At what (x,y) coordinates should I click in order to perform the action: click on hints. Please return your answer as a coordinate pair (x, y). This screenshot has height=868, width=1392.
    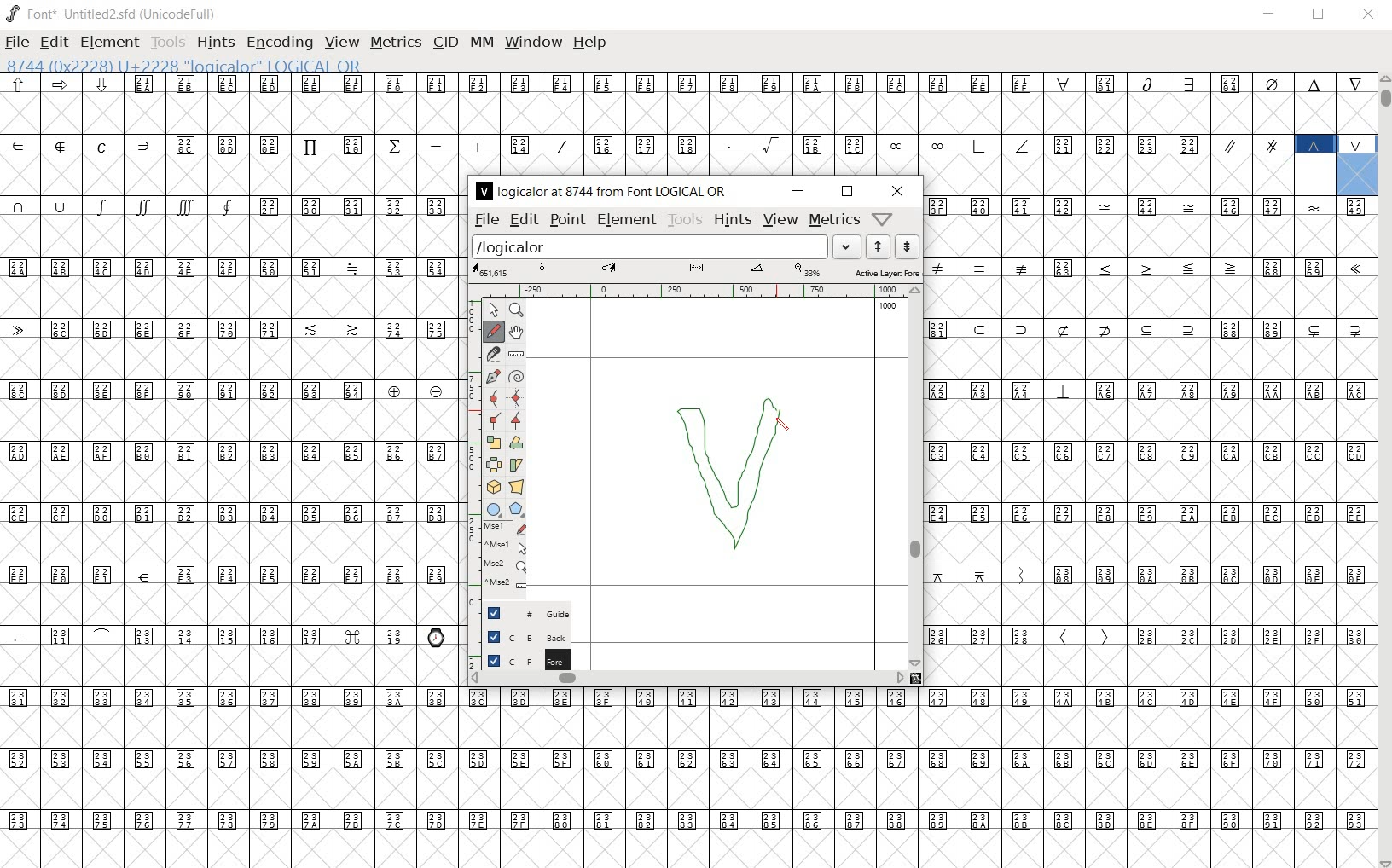
    Looking at the image, I should click on (214, 44).